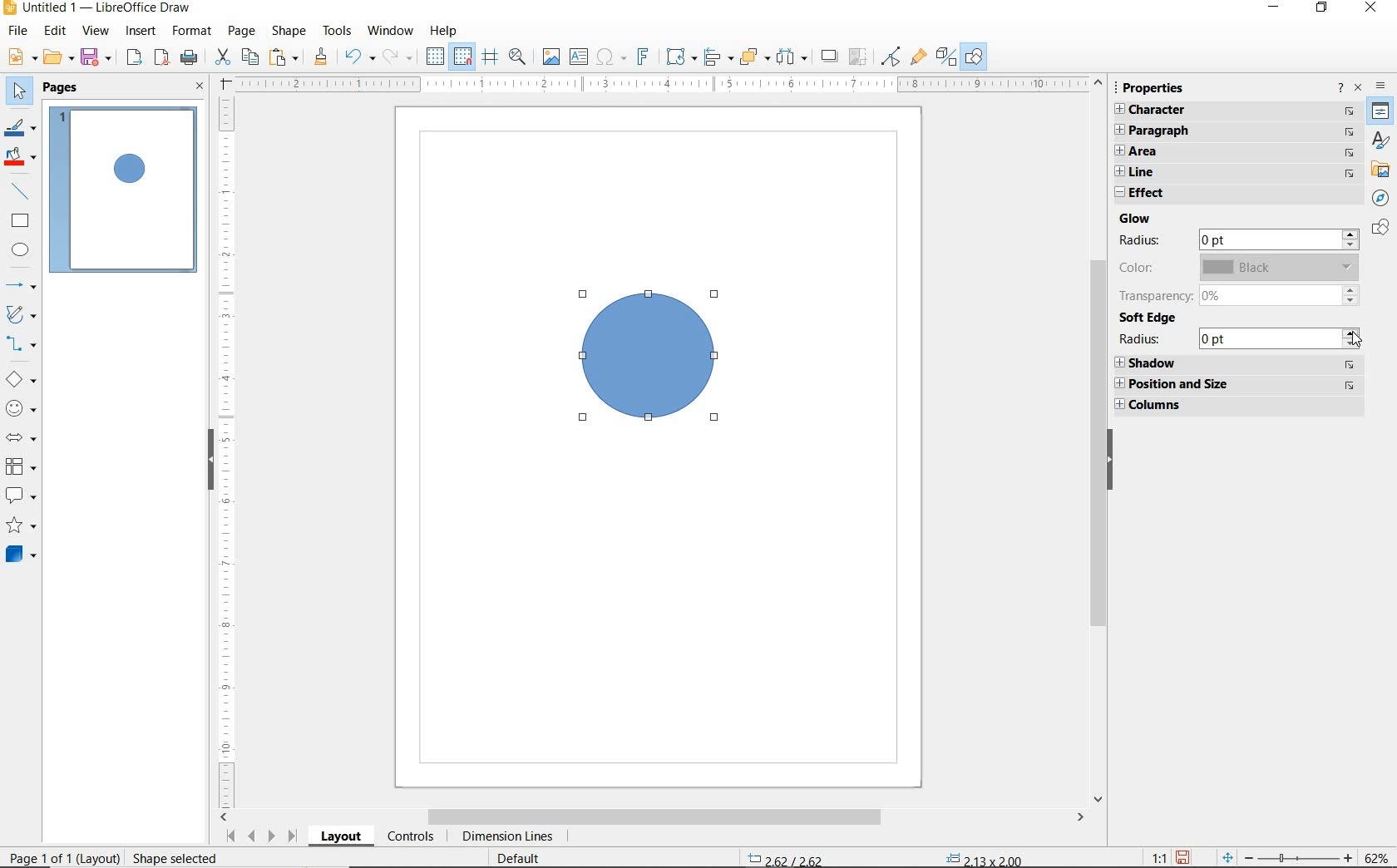  I want to click on PASTE, so click(287, 57).